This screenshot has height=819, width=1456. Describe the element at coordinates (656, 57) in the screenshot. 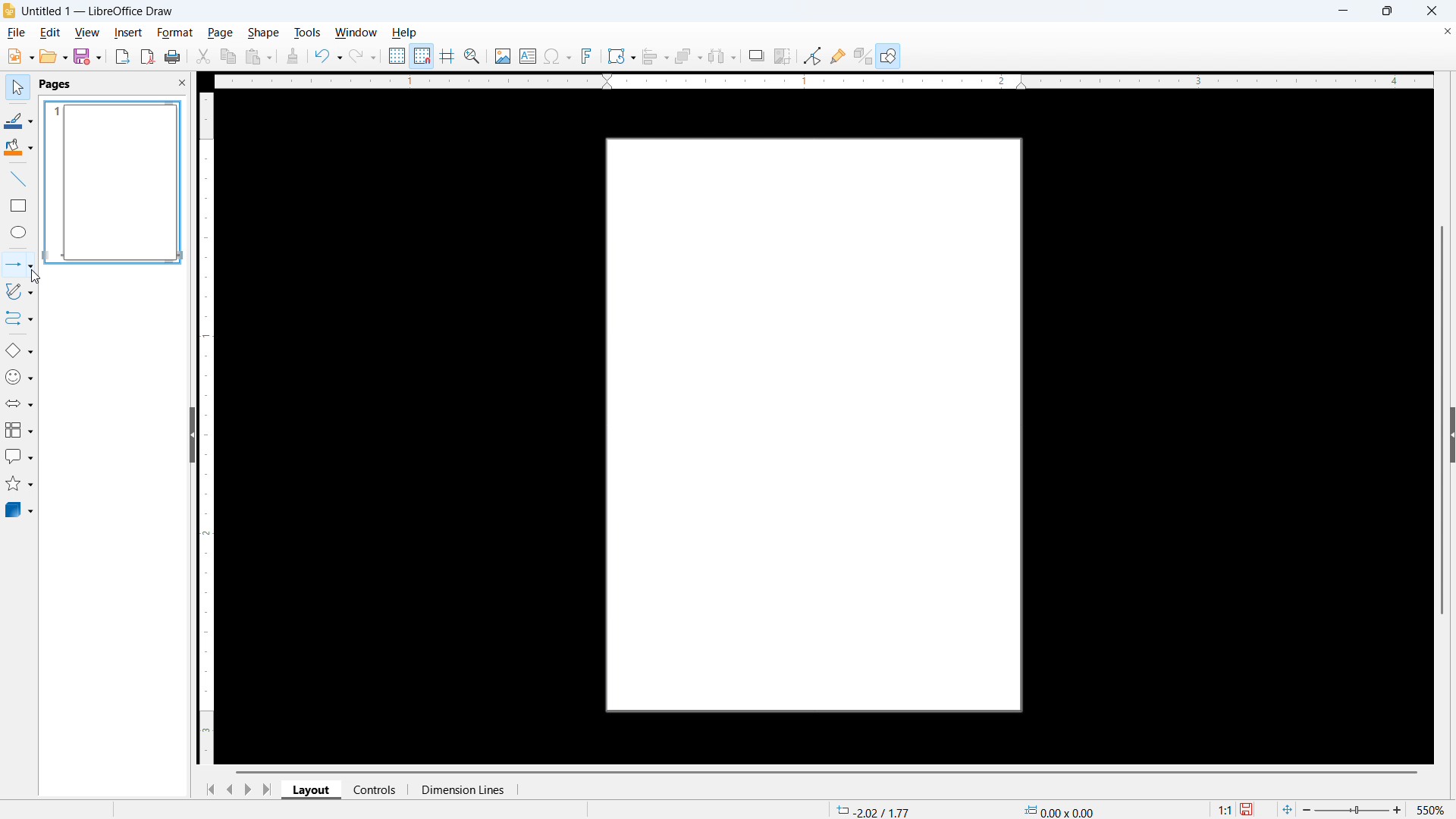

I see `align ` at that location.